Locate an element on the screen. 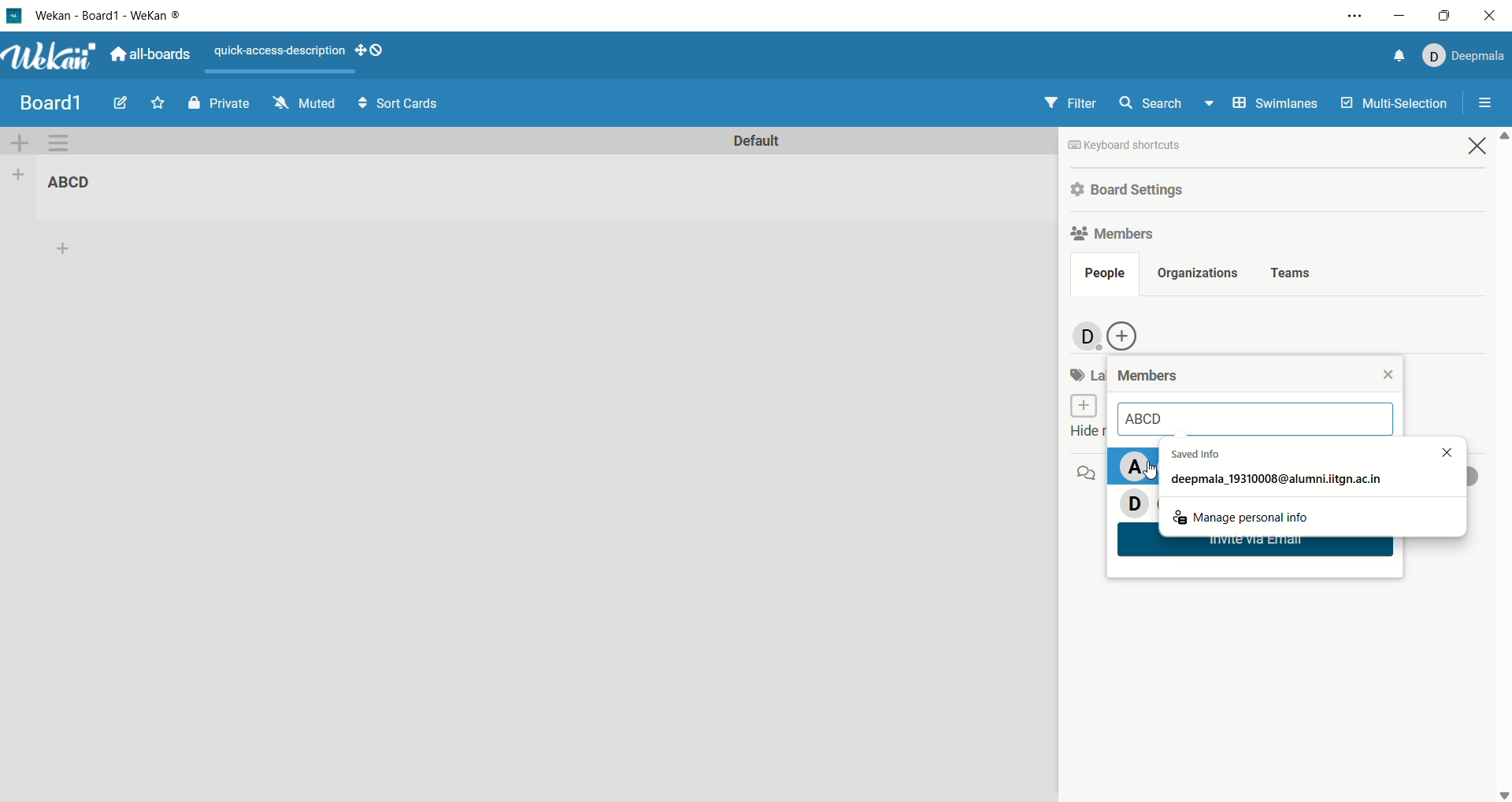 Image resolution: width=1512 pixels, height=802 pixels. private is located at coordinates (221, 104).